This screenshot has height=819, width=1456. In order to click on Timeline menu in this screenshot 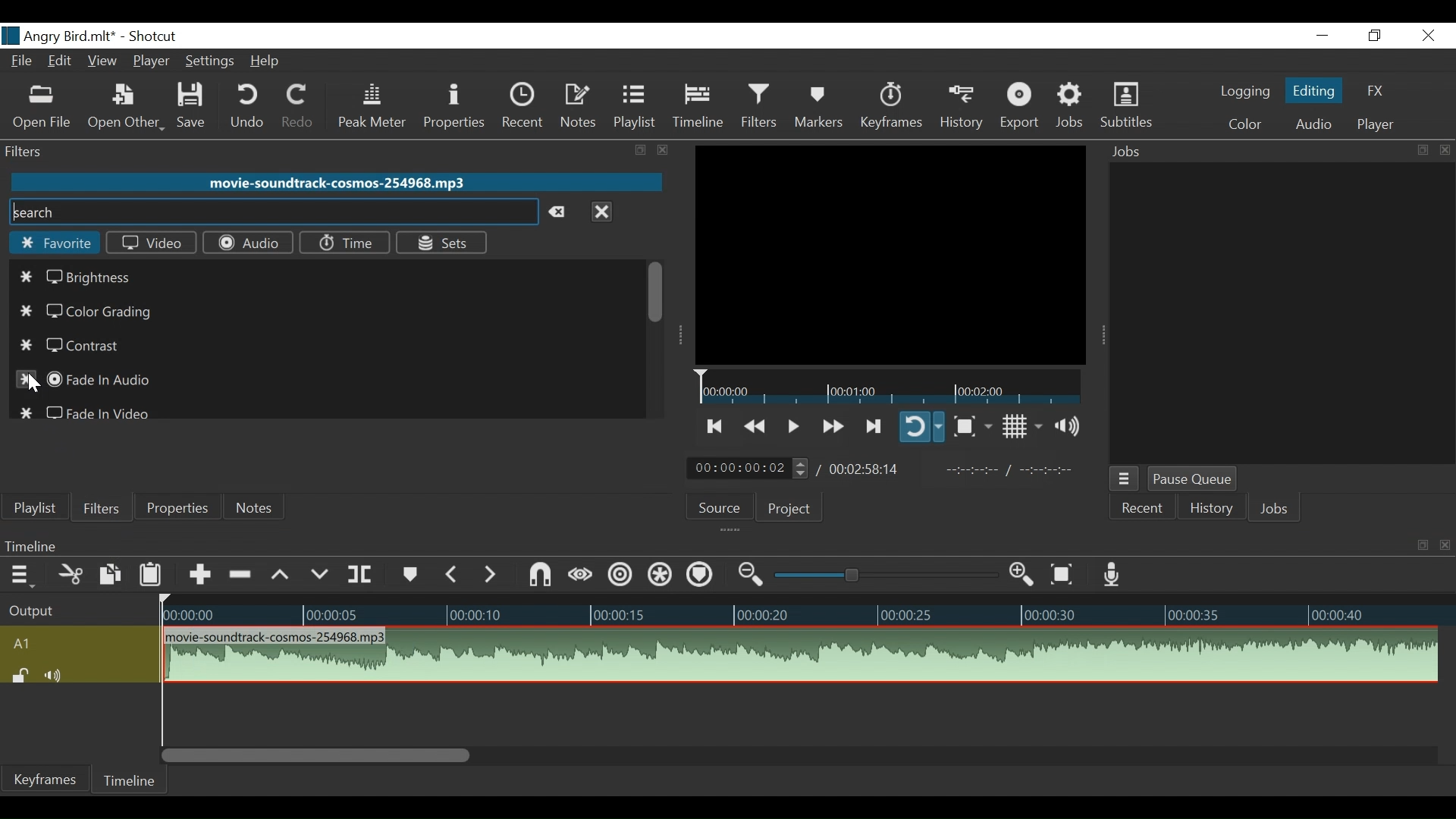, I will do `click(19, 574)`.